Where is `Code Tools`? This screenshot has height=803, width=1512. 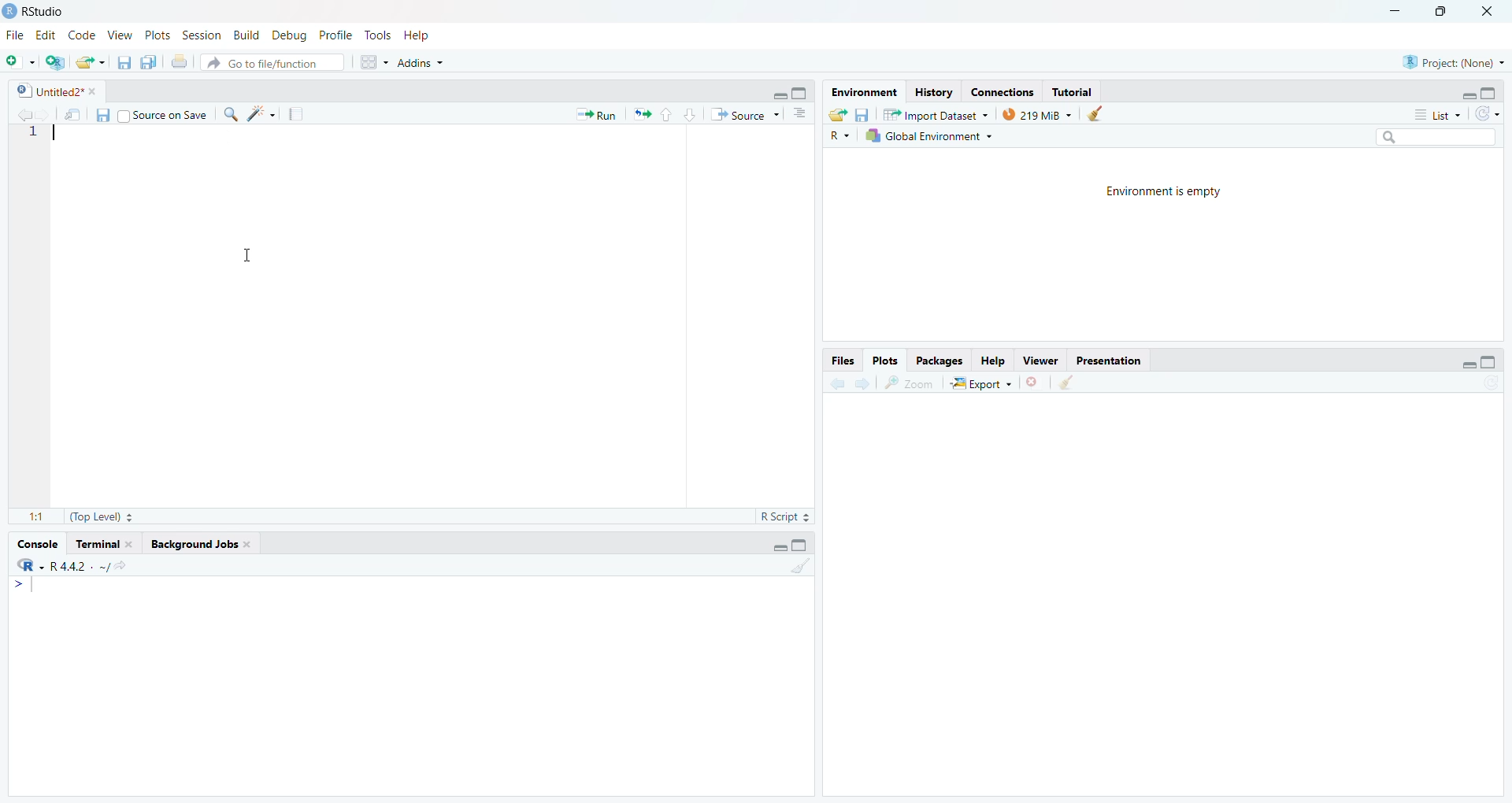 Code Tools is located at coordinates (261, 113).